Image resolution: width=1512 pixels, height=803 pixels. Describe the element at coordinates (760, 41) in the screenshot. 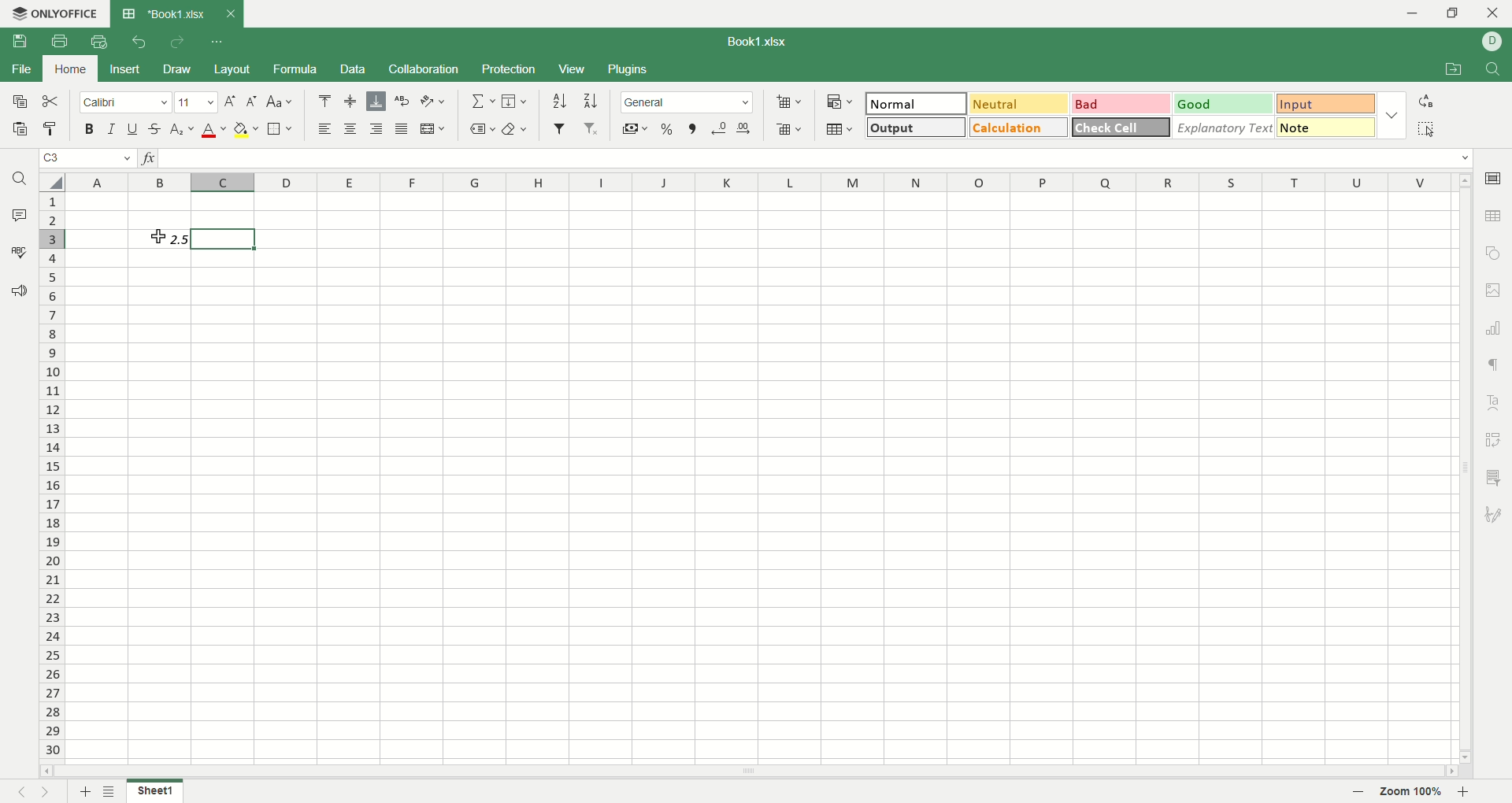

I see `Book1.xlsx` at that location.